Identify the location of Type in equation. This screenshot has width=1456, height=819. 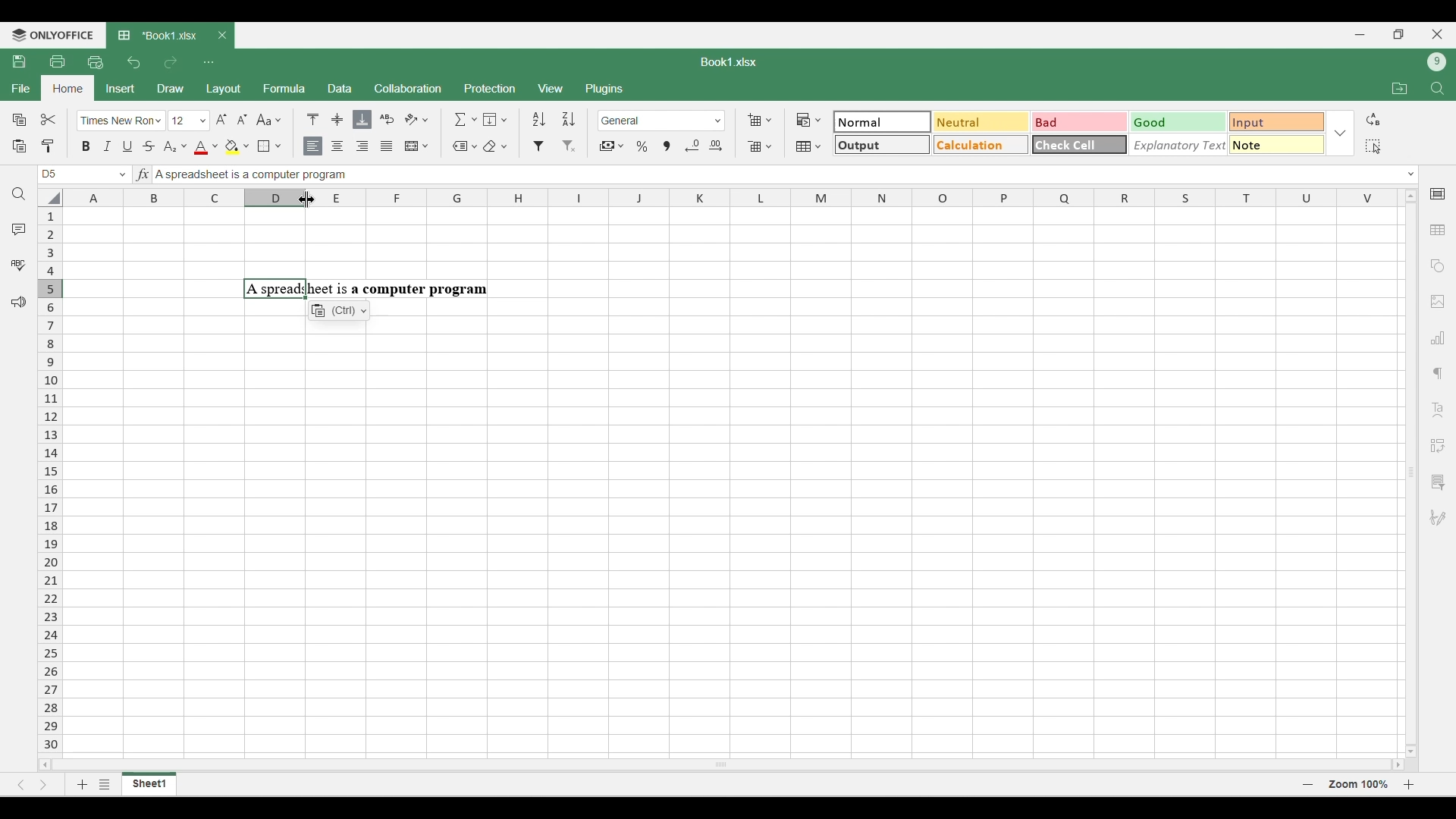
(142, 174).